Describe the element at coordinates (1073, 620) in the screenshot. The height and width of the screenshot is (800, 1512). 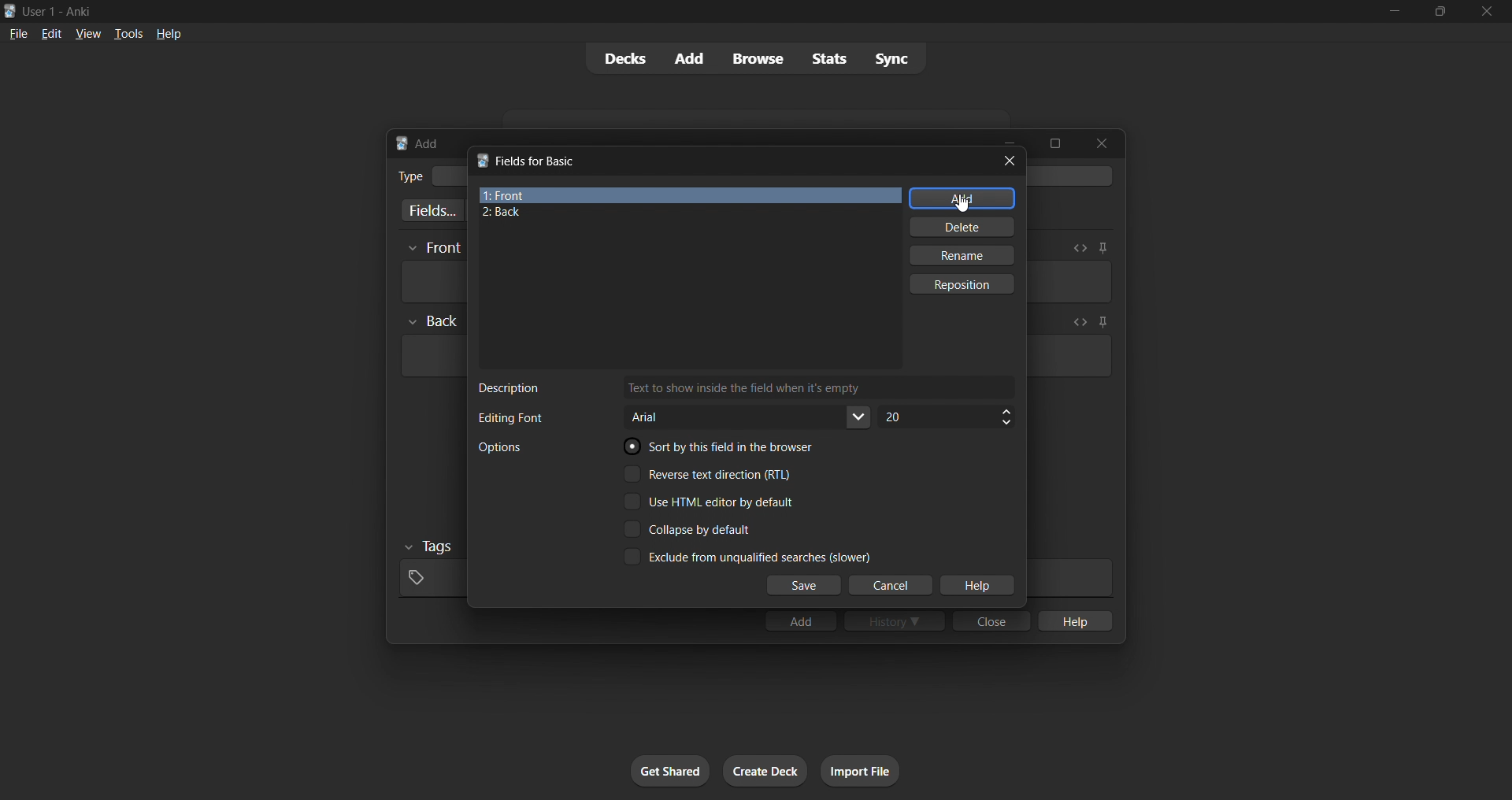
I see `help` at that location.